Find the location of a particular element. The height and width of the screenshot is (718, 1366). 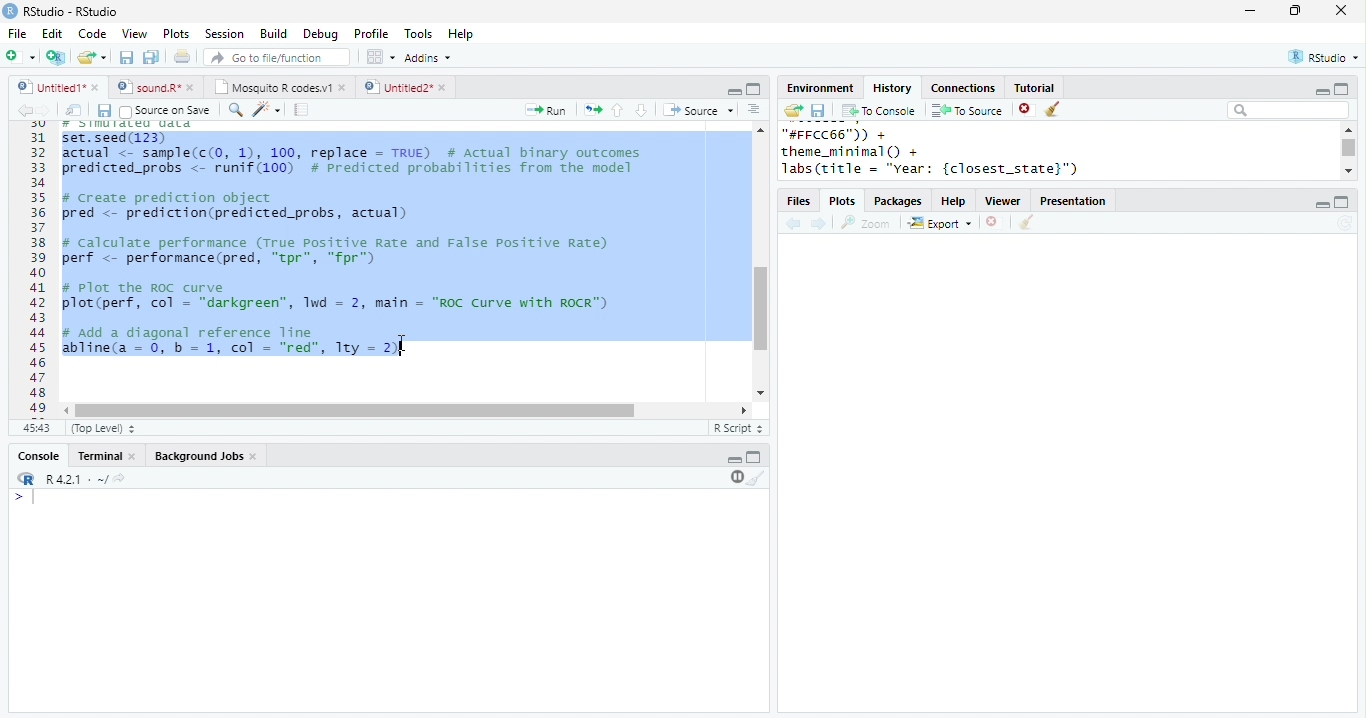

down is located at coordinates (640, 110).